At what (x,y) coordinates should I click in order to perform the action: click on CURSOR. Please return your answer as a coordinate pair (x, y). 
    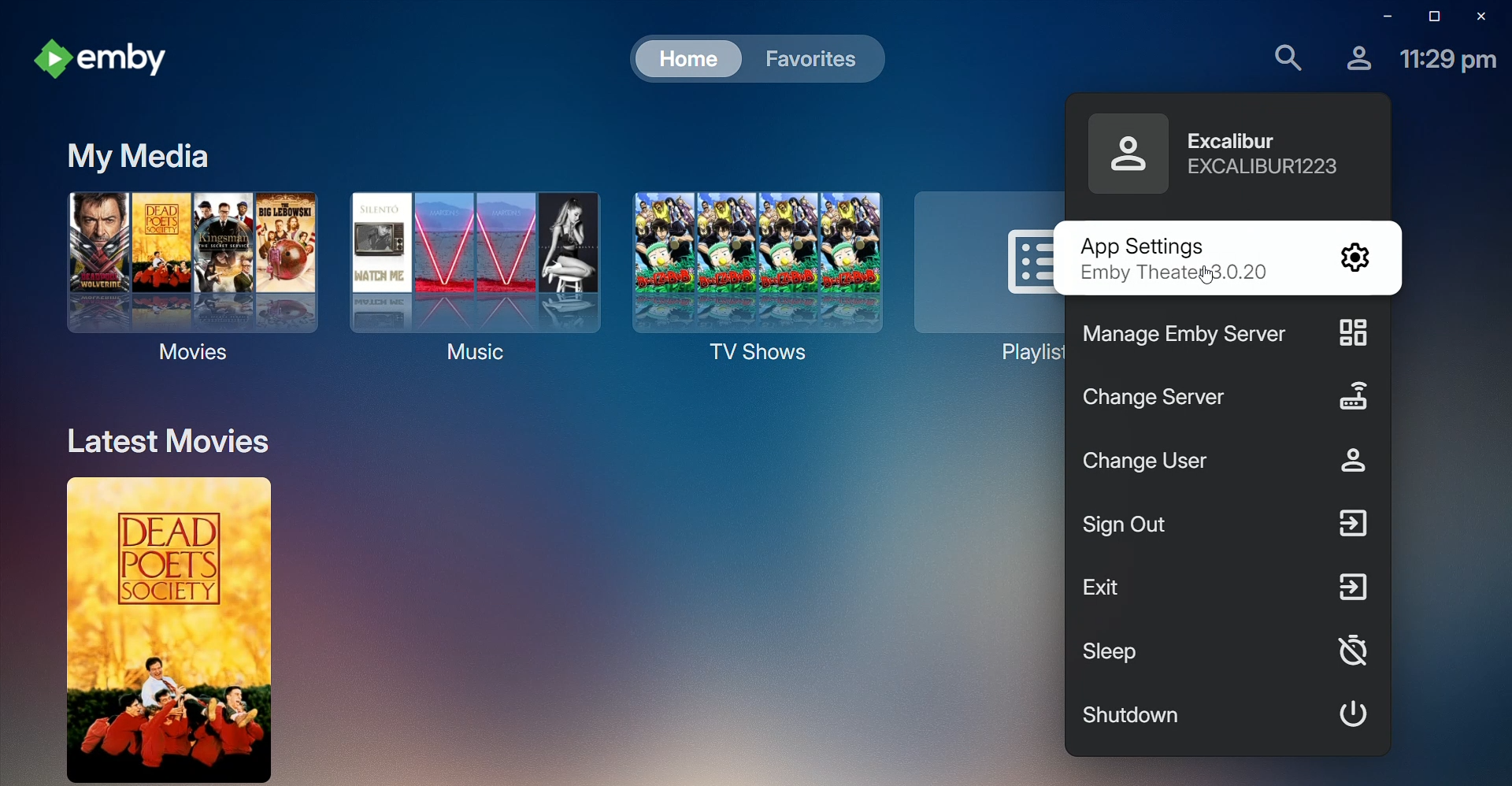
    Looking at the image, I should click on (1208, 280).